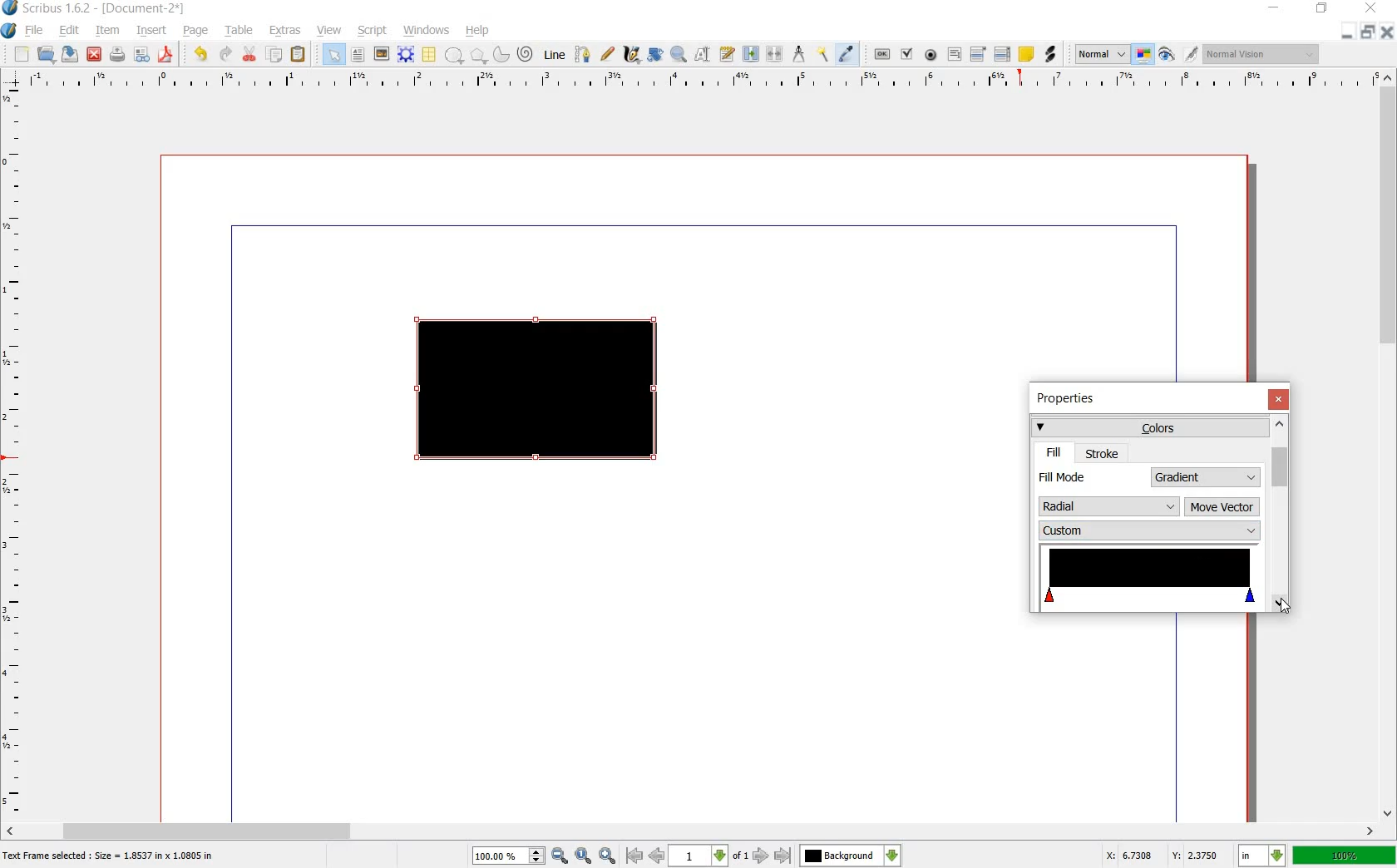 Image resolution: width=1397 pixels, height=868 pixels. I want to click on pdf list box, so click(1002, 53).